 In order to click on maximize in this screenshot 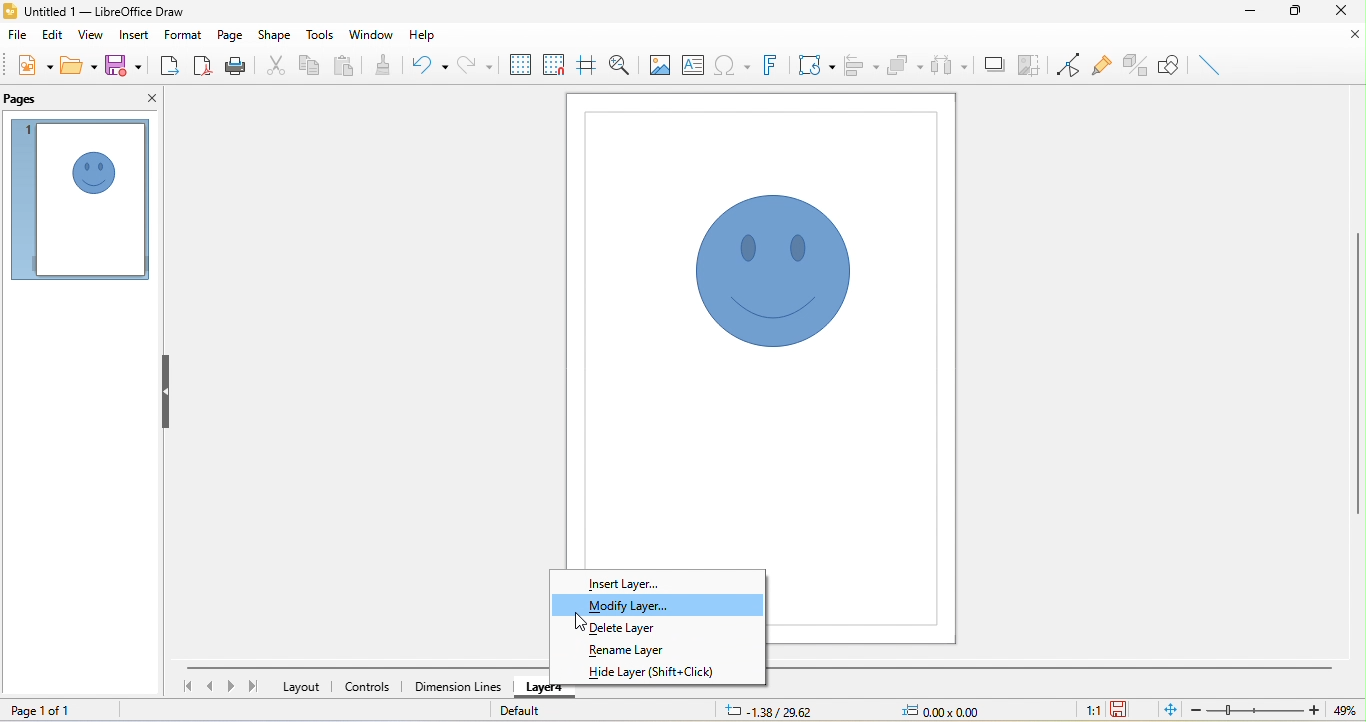, I will do `click(1294, 14)`.